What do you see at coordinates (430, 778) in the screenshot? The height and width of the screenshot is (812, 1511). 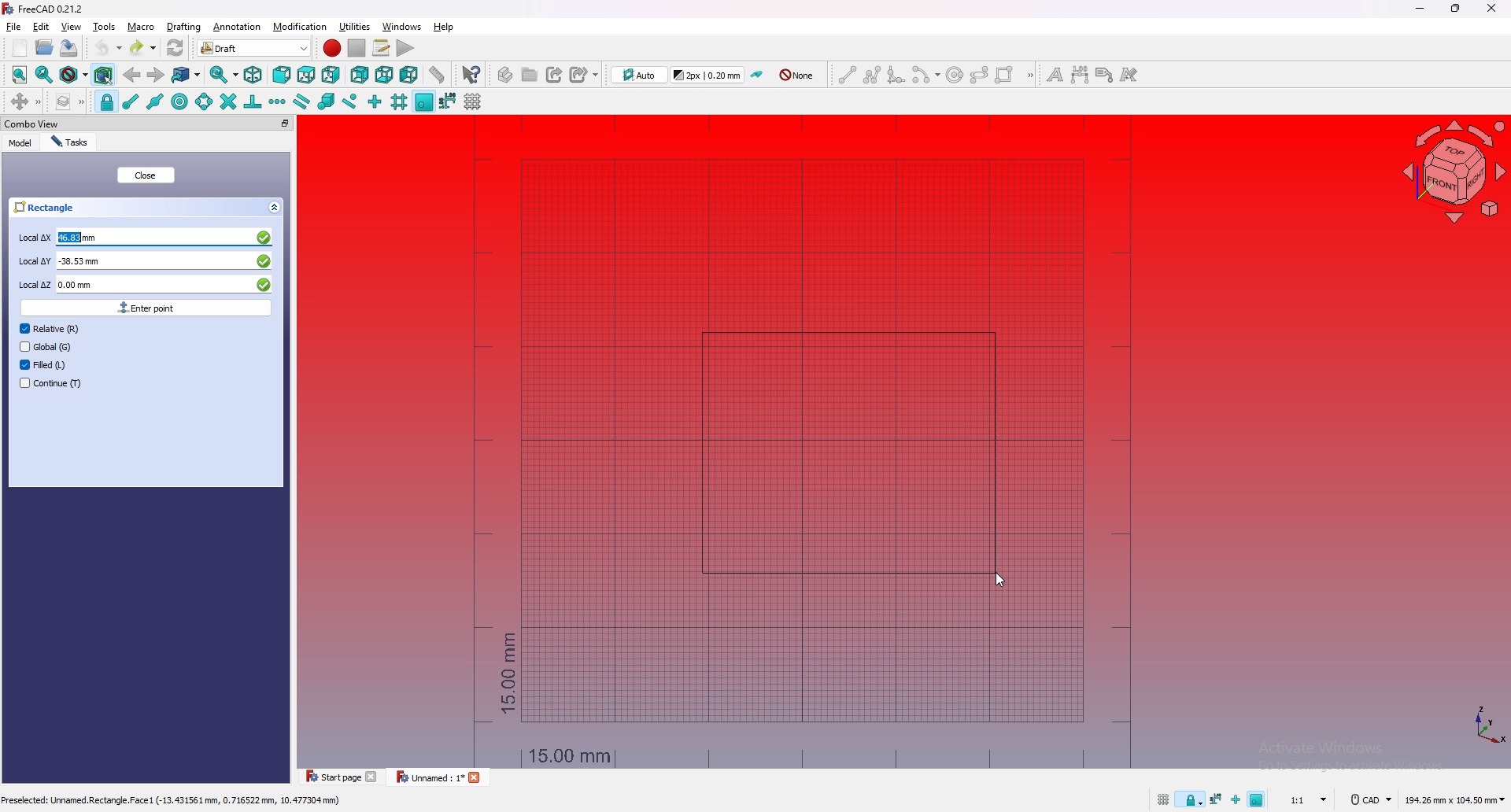 I see `unnamed : 1*` at bounding box center [430, 778].